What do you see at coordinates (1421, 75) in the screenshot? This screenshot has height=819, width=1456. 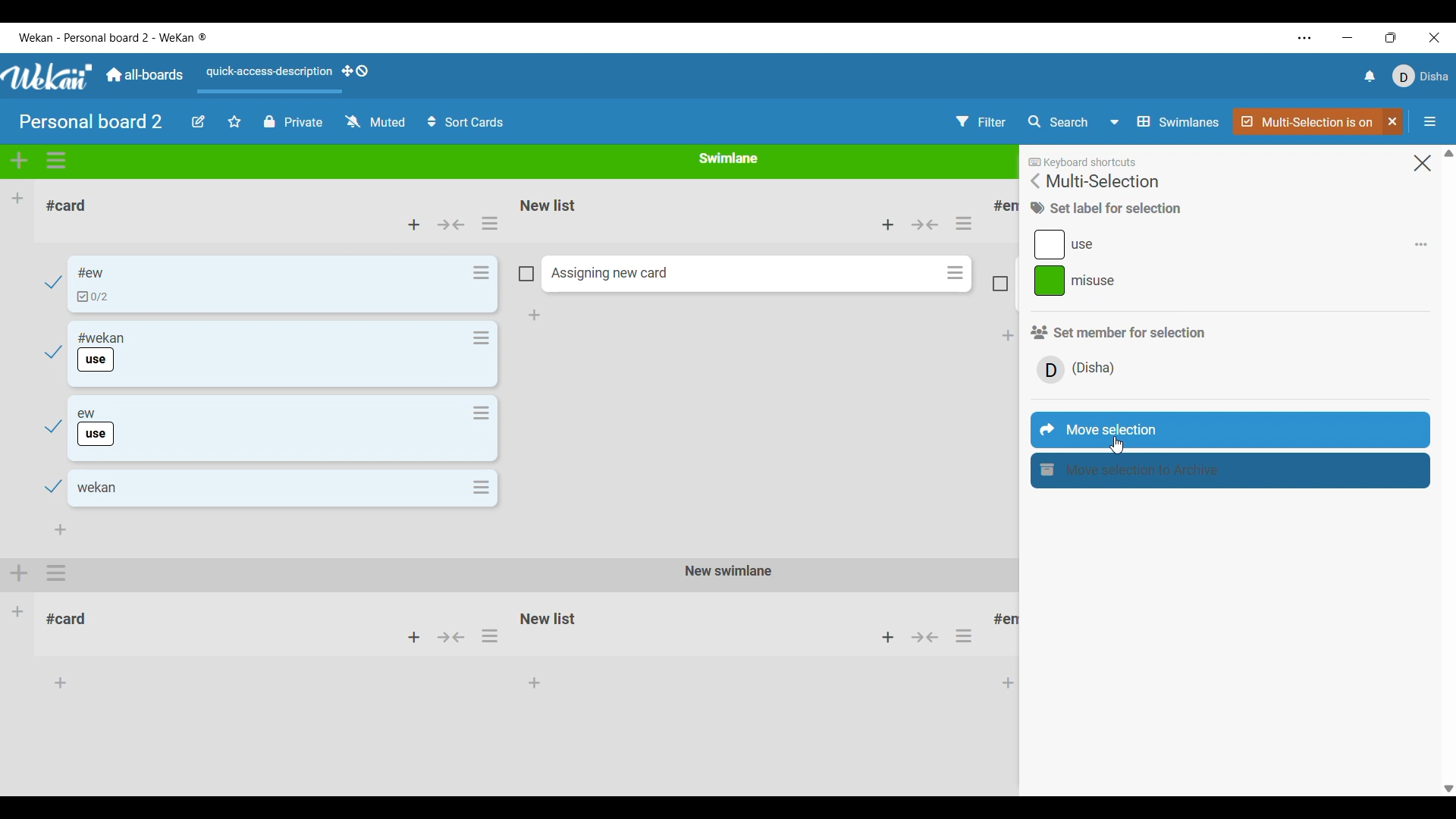 I see `Current account` at bounding box center [1421, 75].